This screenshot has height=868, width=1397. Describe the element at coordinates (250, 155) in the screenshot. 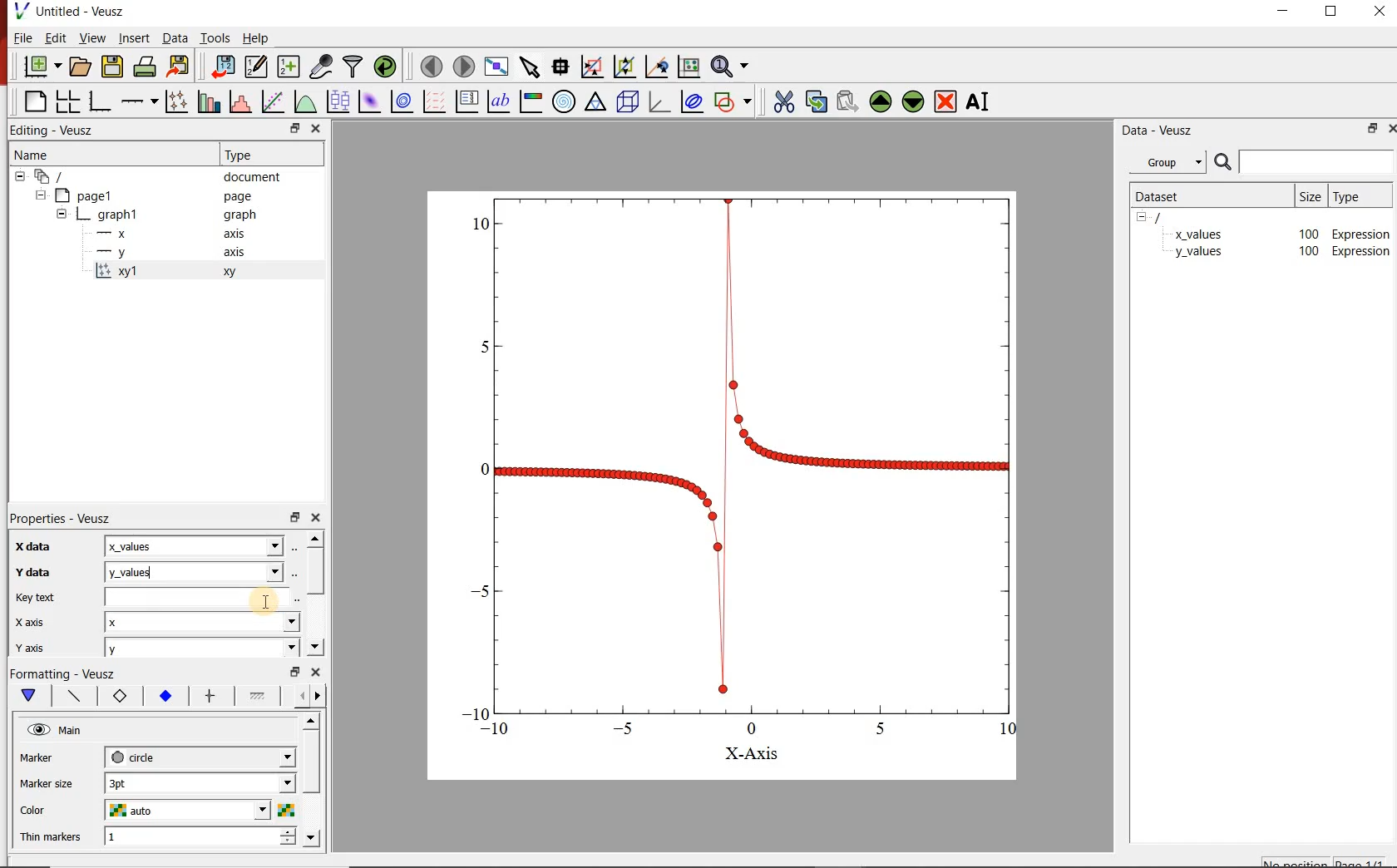

I see `Type` at that location.